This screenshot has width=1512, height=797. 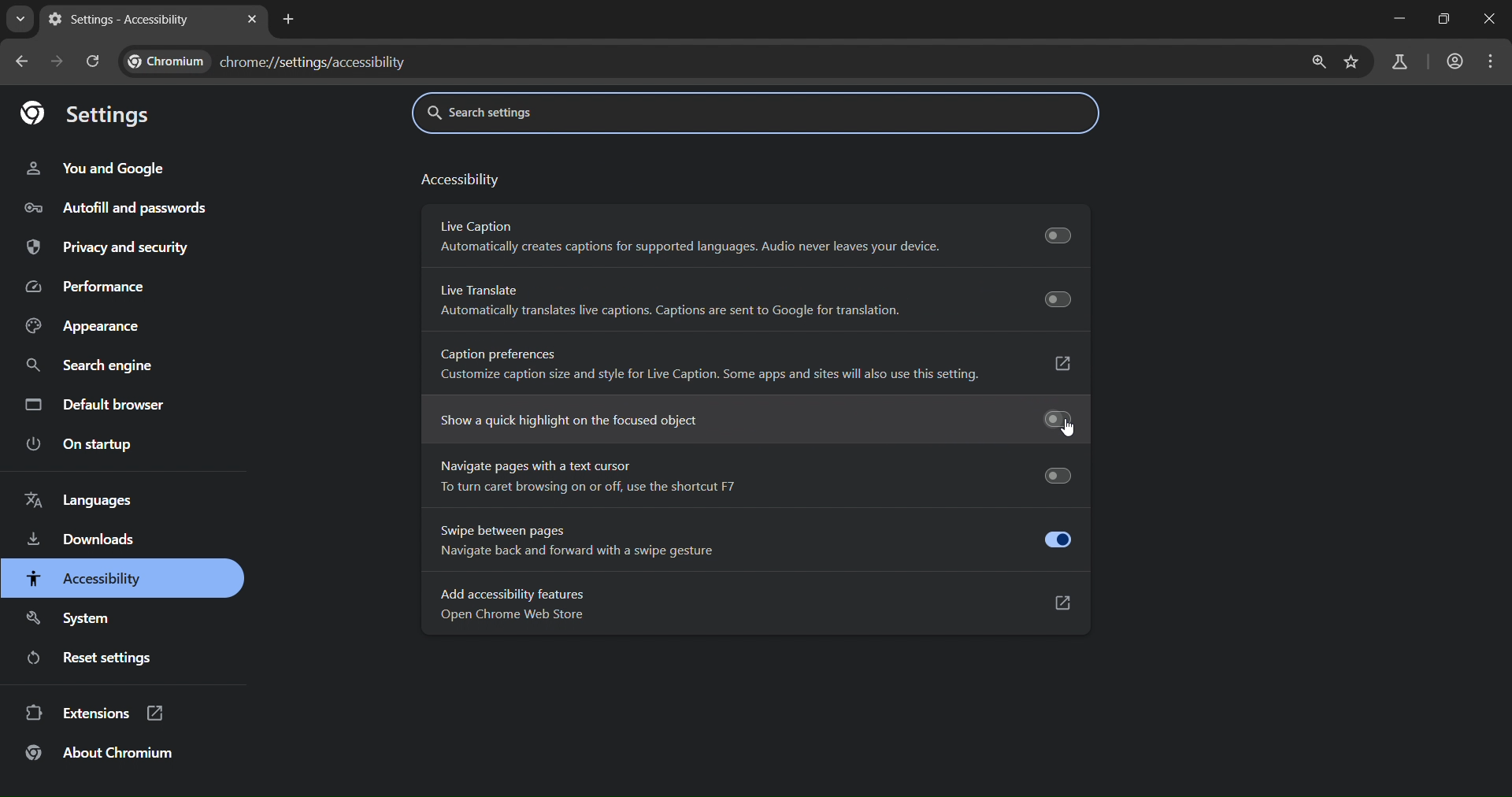 I want to click on languages, so click(x=83, y=499).